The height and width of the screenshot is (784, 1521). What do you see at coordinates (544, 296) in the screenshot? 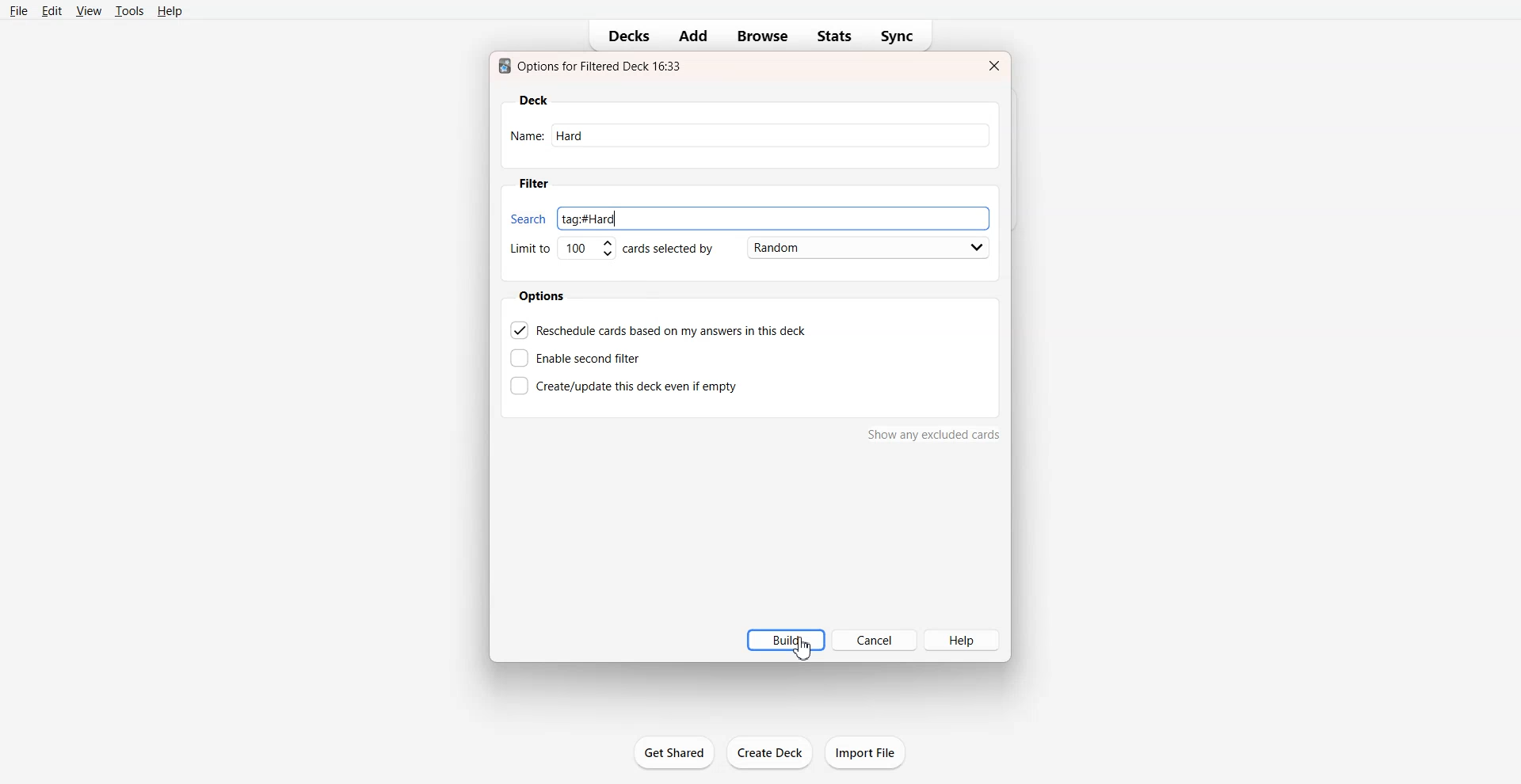
I see `Options` at bounding box center [544, 296].